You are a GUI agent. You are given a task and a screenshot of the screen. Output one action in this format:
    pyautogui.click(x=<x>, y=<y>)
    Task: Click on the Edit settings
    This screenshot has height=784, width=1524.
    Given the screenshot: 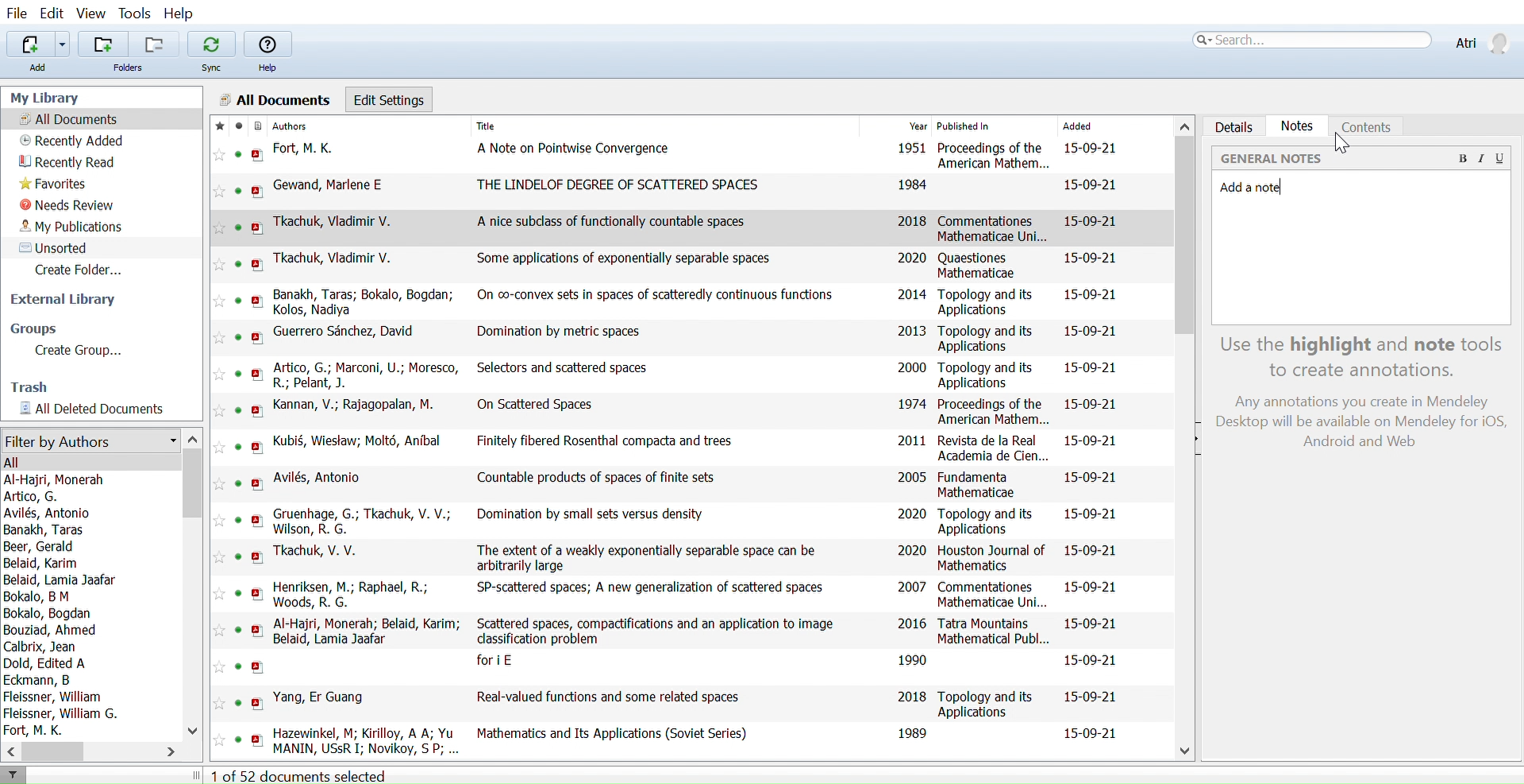 What is the action you would take?
    pyautogui.click(x=390, y=98)
    